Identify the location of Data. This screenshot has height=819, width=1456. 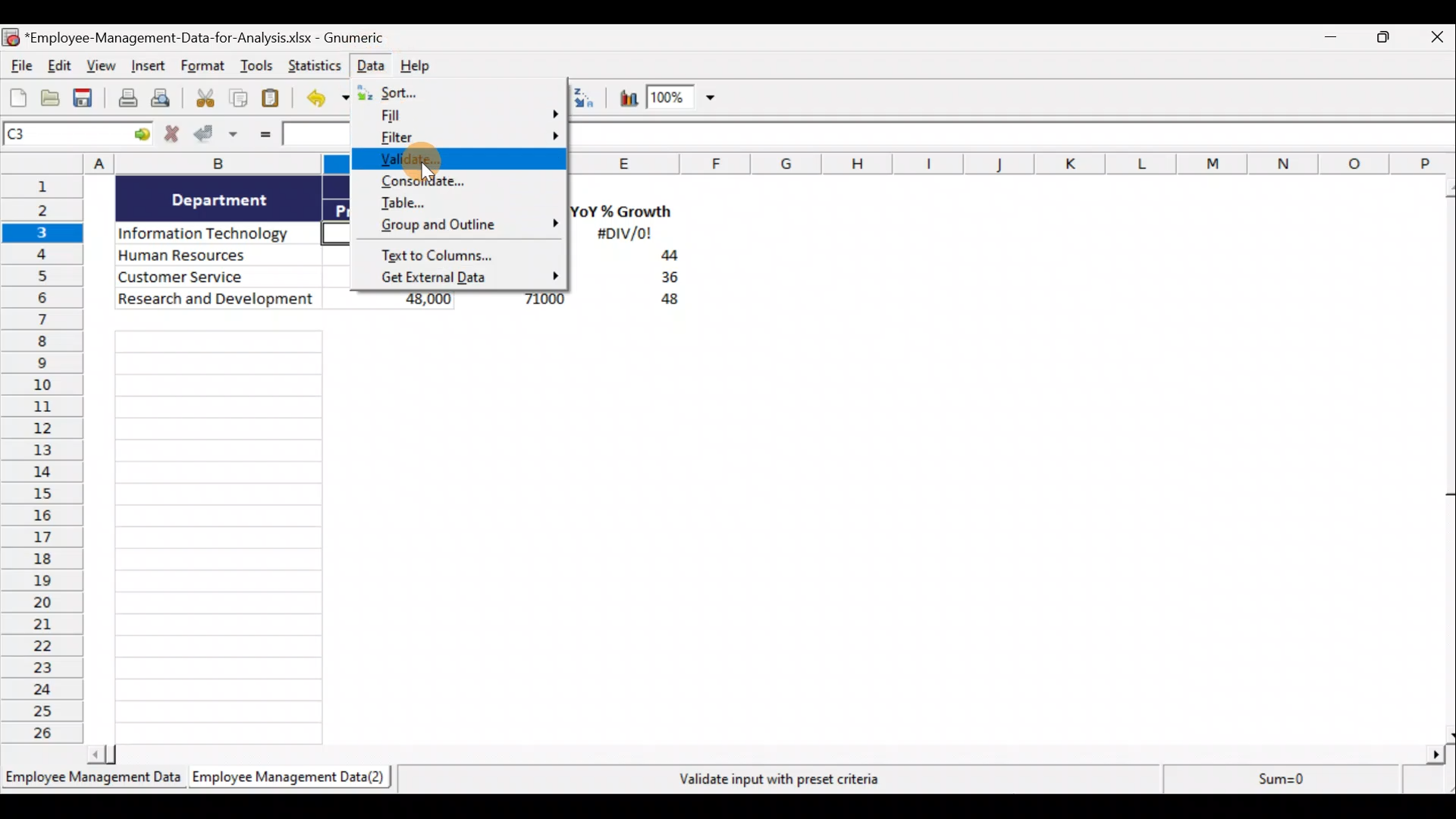
(370, 64).